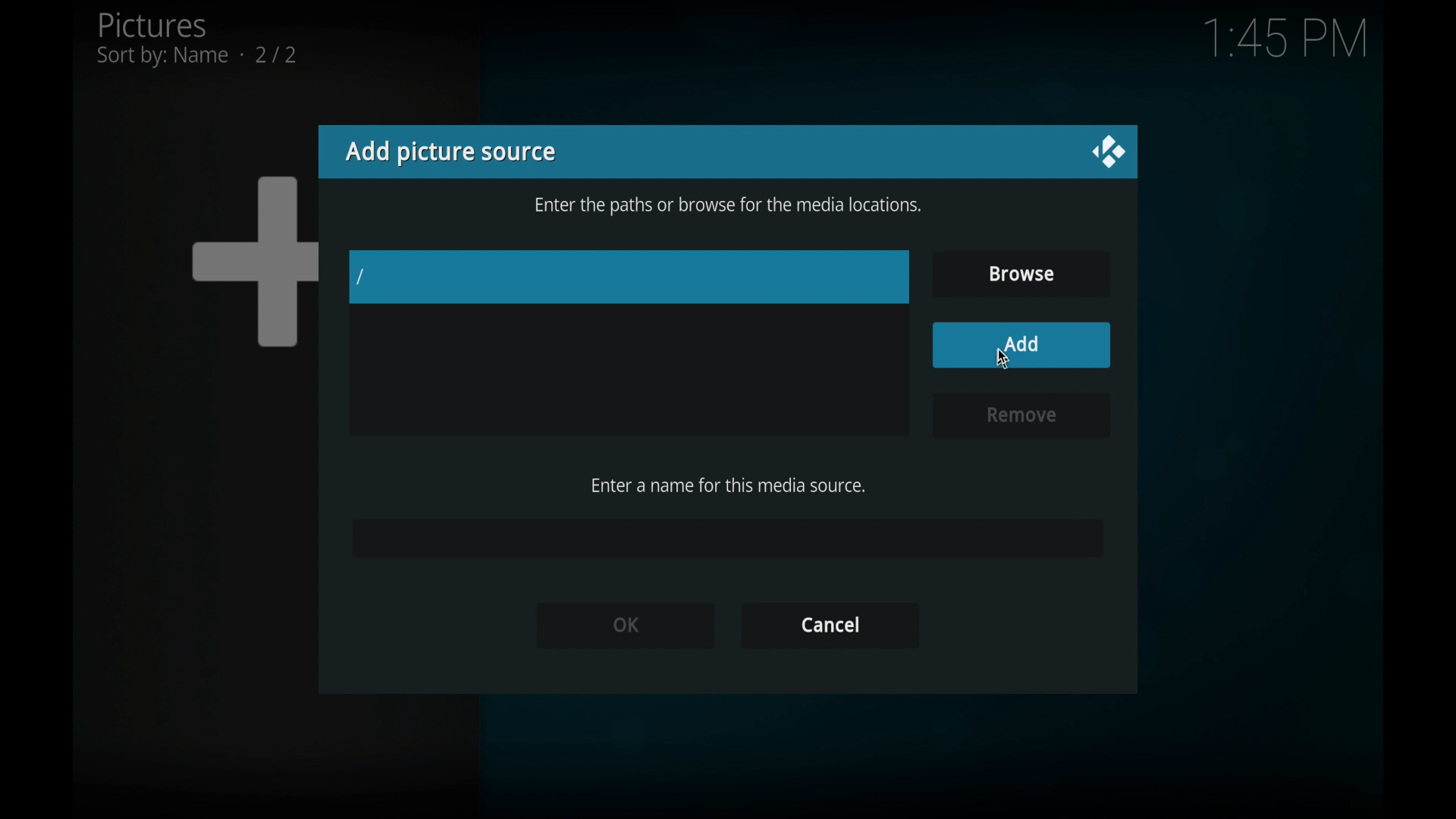  What do you see at coordinates (362, 278) in the screenshot?
I see `slash icon` at bounding box center [362, 278].